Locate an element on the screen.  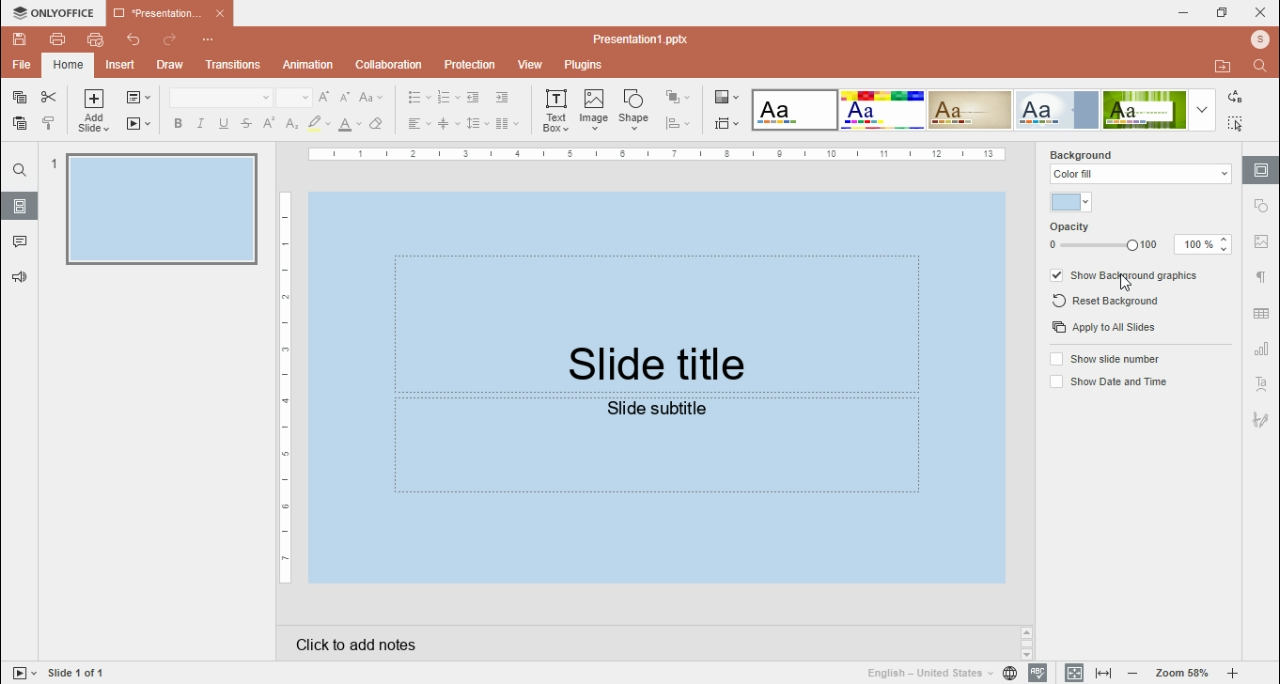
presentation 1 is located at coordinates (169, 16).